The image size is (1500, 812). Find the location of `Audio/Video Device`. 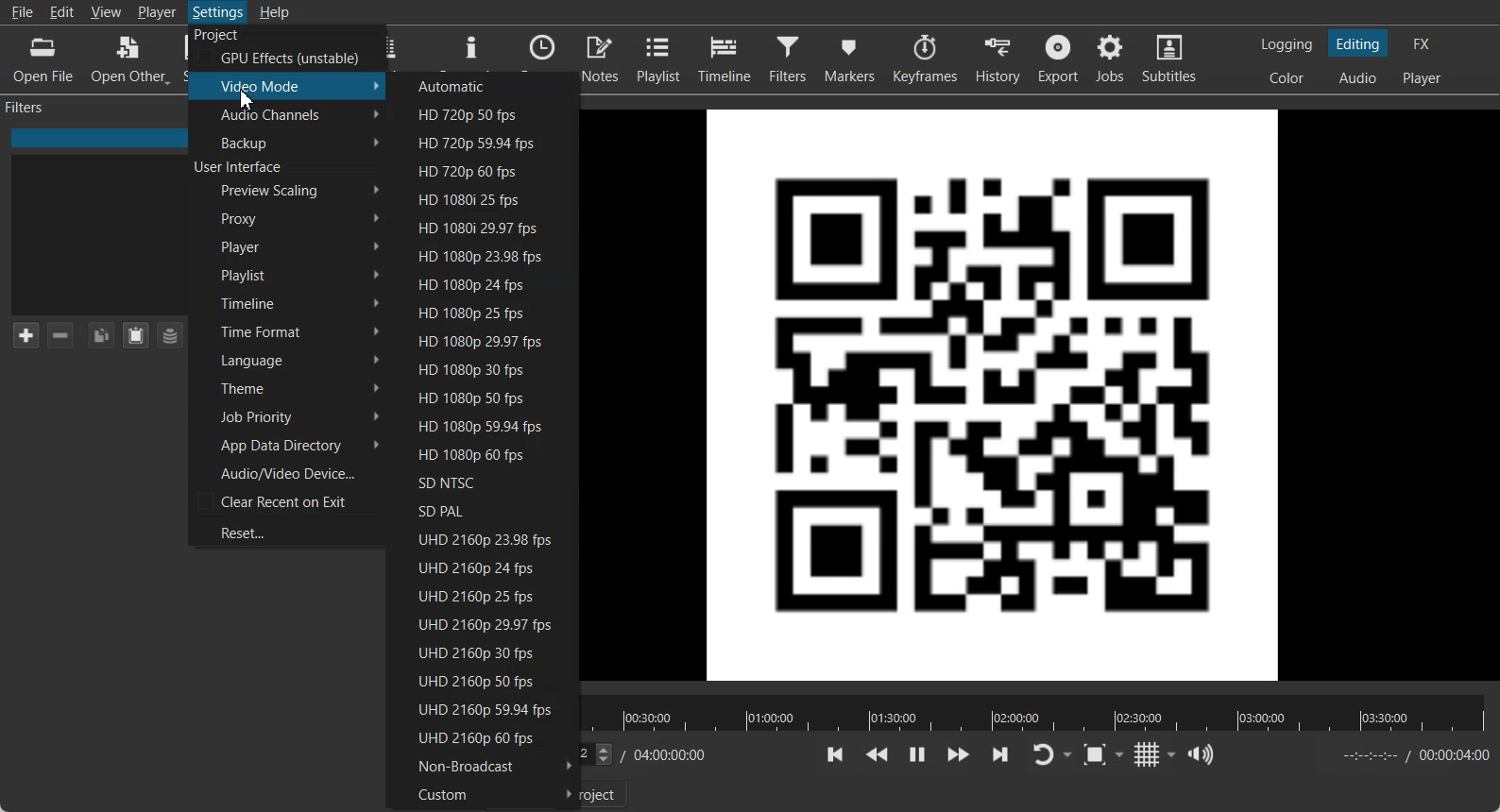

Audio/Video Device is located at coordinates (286, 472).